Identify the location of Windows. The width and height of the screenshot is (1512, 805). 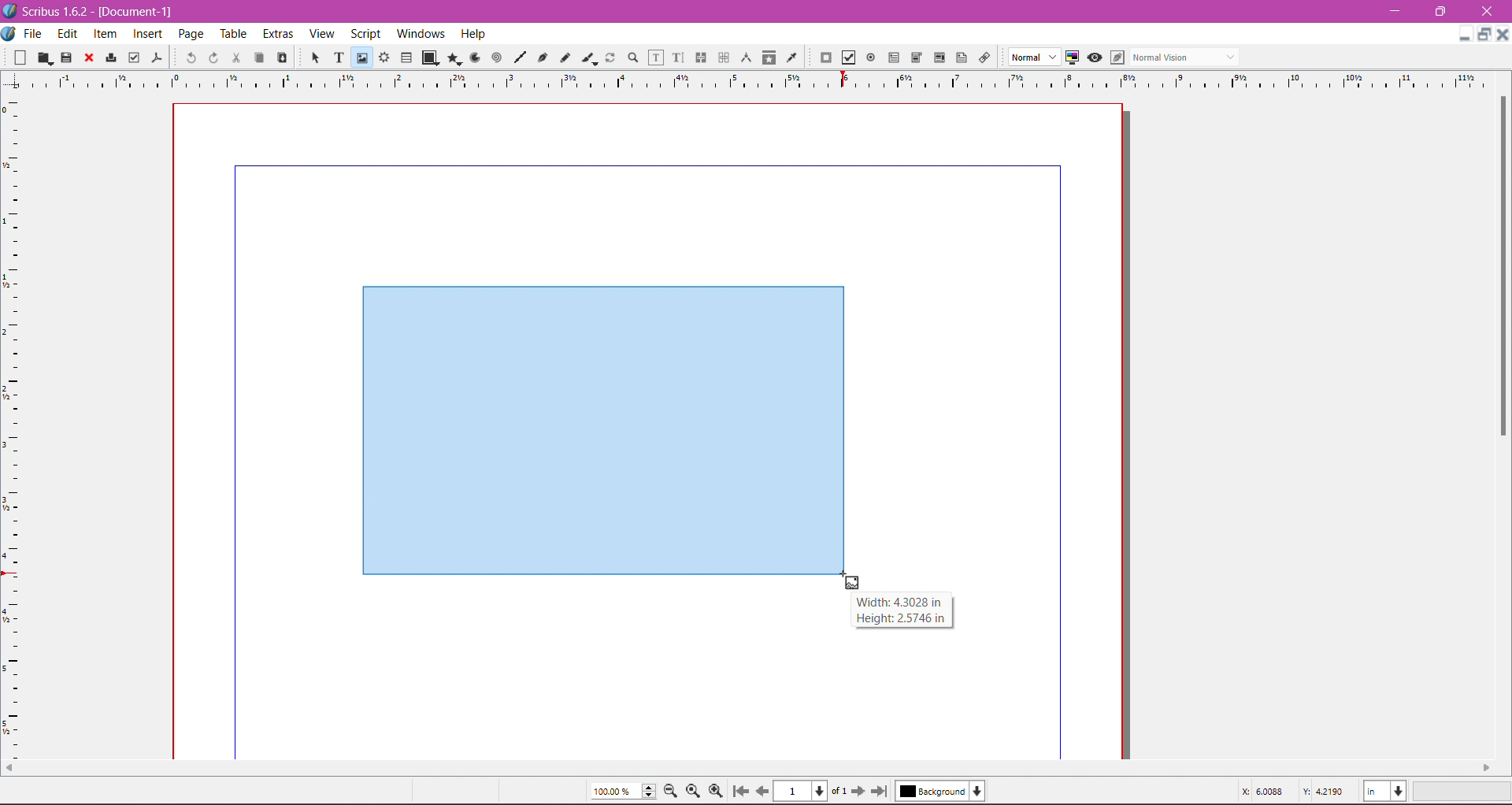
(419, 32).